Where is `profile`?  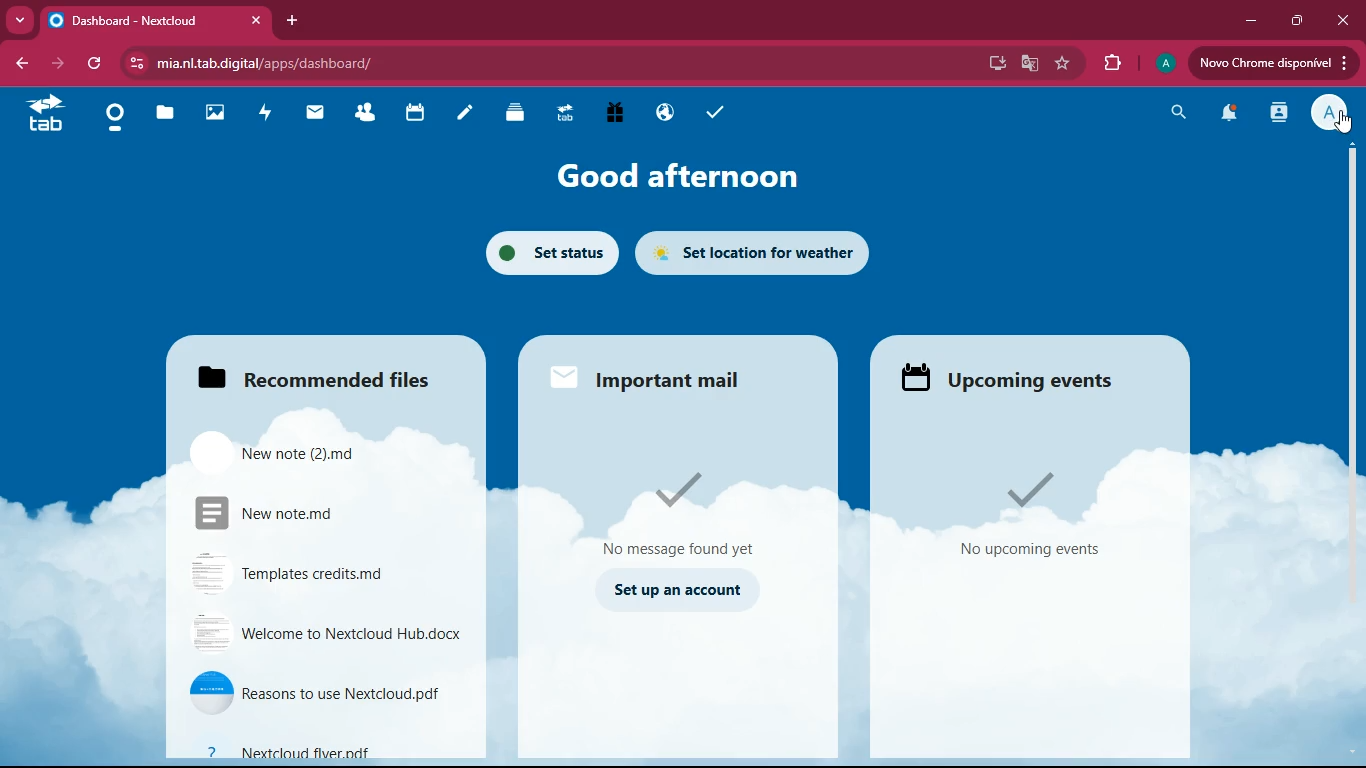
profile is located at coordinates (1331, 111).